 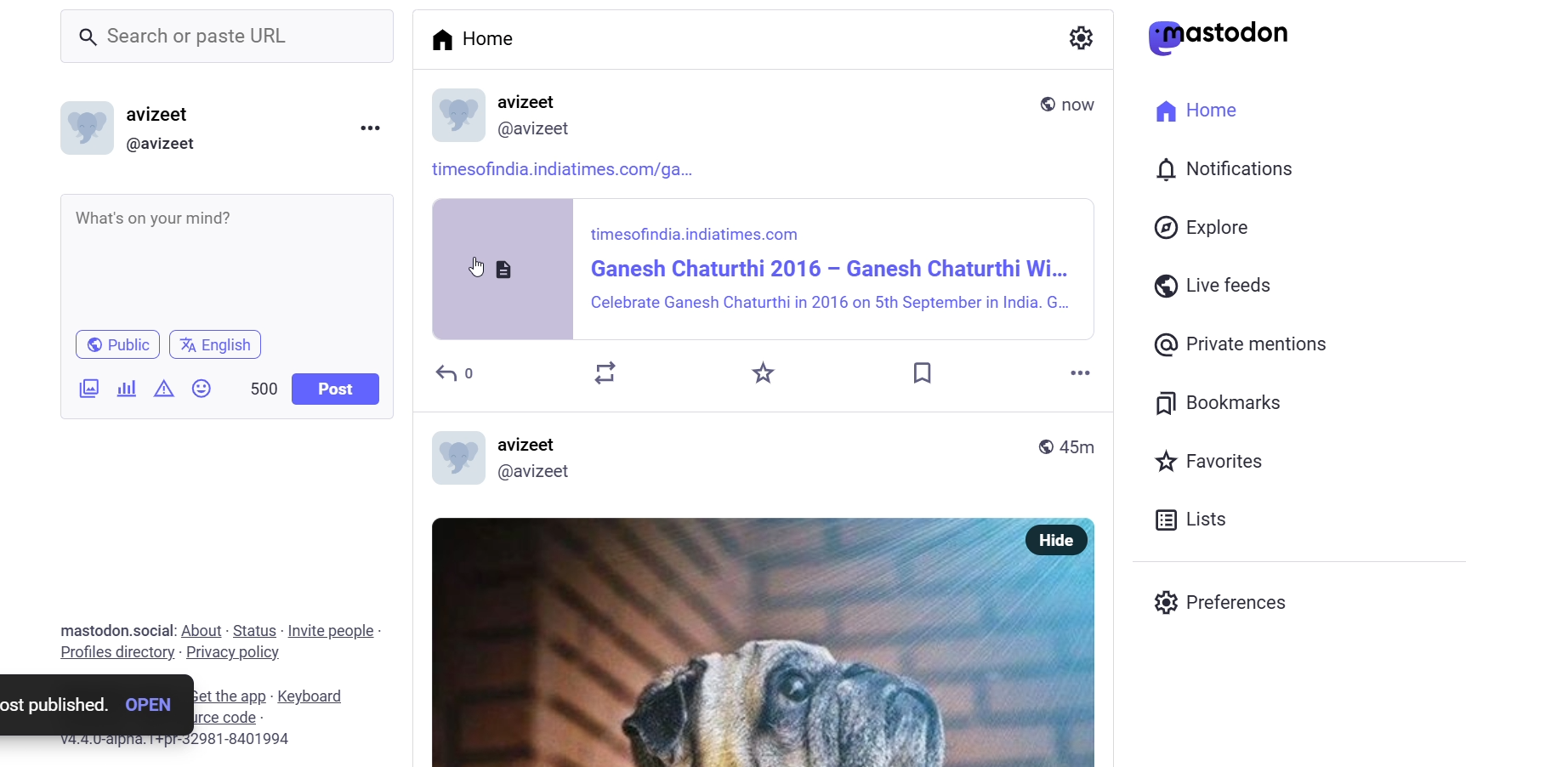 What do you see at coordinates (1241, 168) in the screenshot?
I see `I 0) Notifications` at bounding box center [1241, 168].